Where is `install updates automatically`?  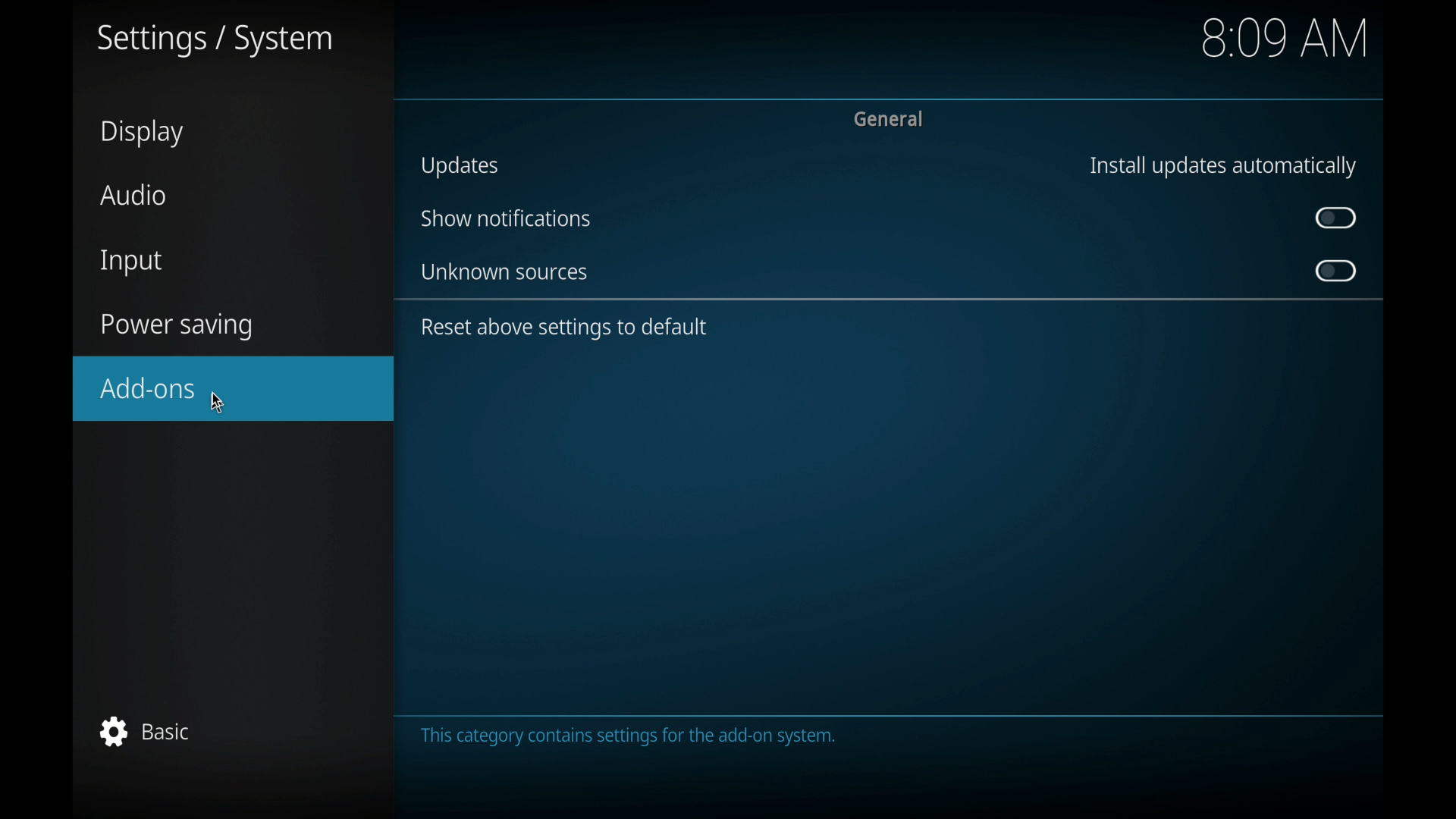
install updates automatically is located at coordinates (1222, 166).